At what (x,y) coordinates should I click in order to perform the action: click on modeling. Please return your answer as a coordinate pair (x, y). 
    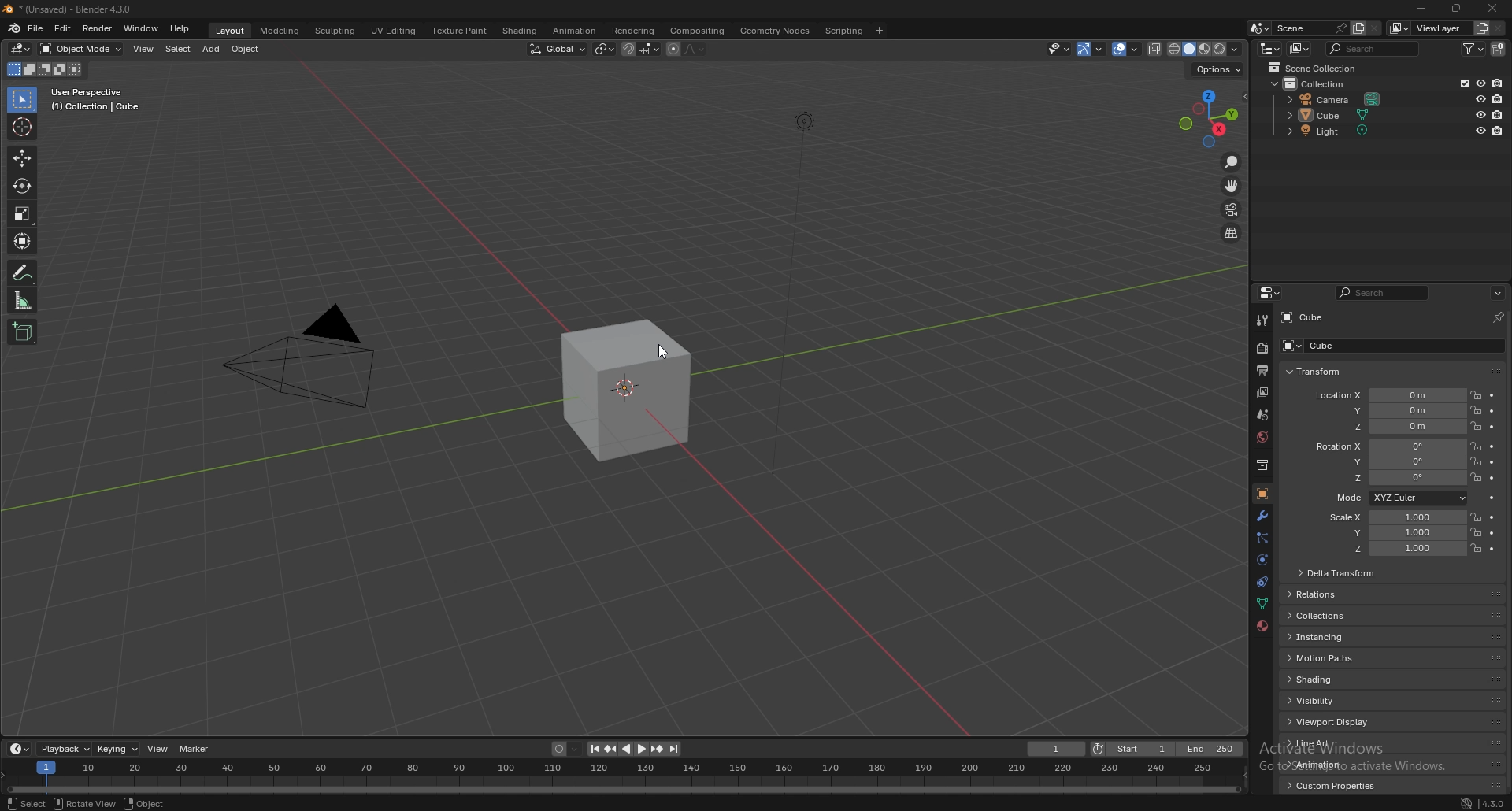
    Looking at the image, I should click on (279, 31).